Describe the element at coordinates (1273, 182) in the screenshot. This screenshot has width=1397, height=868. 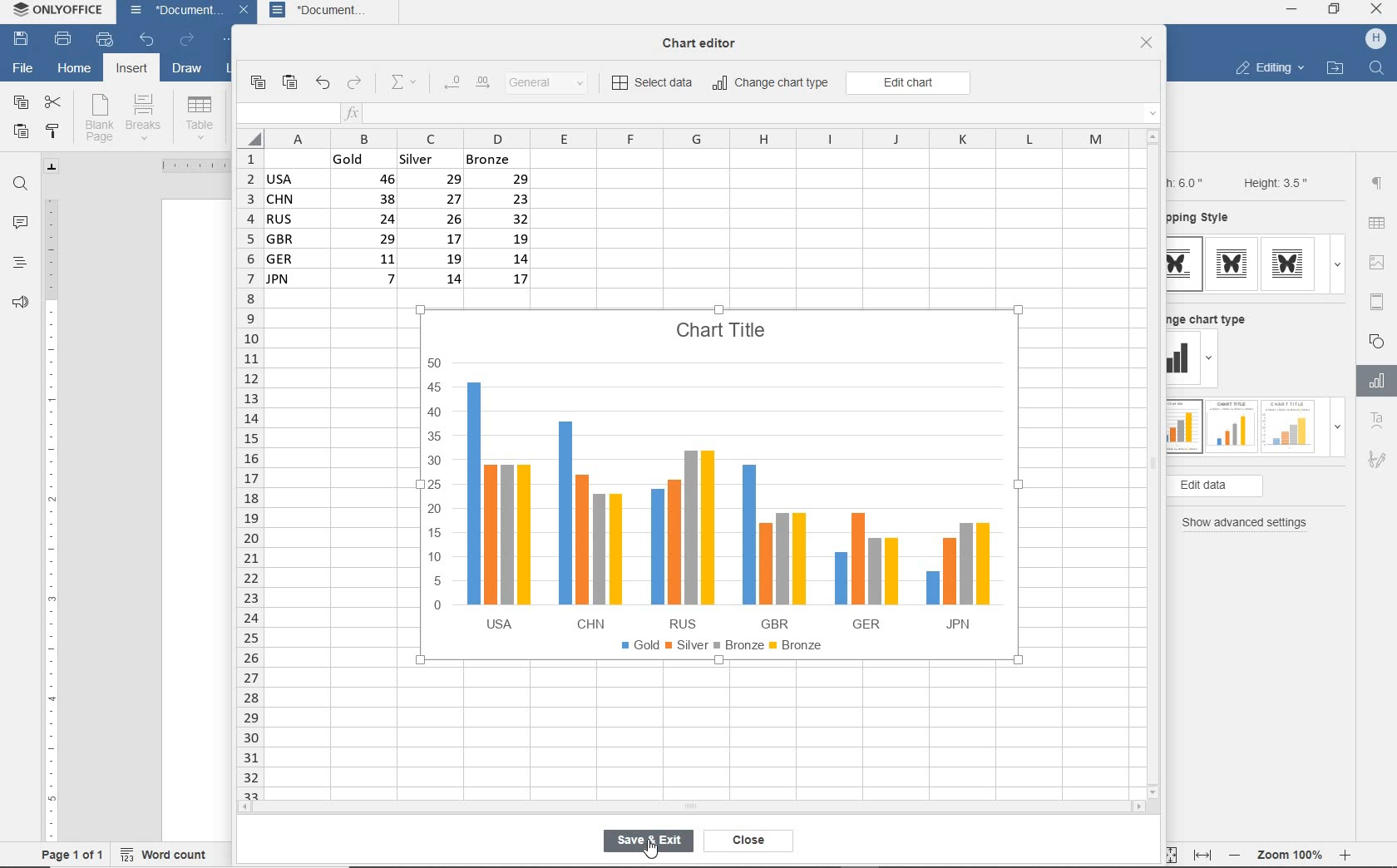
I see `Height: 3.5"` at that location.